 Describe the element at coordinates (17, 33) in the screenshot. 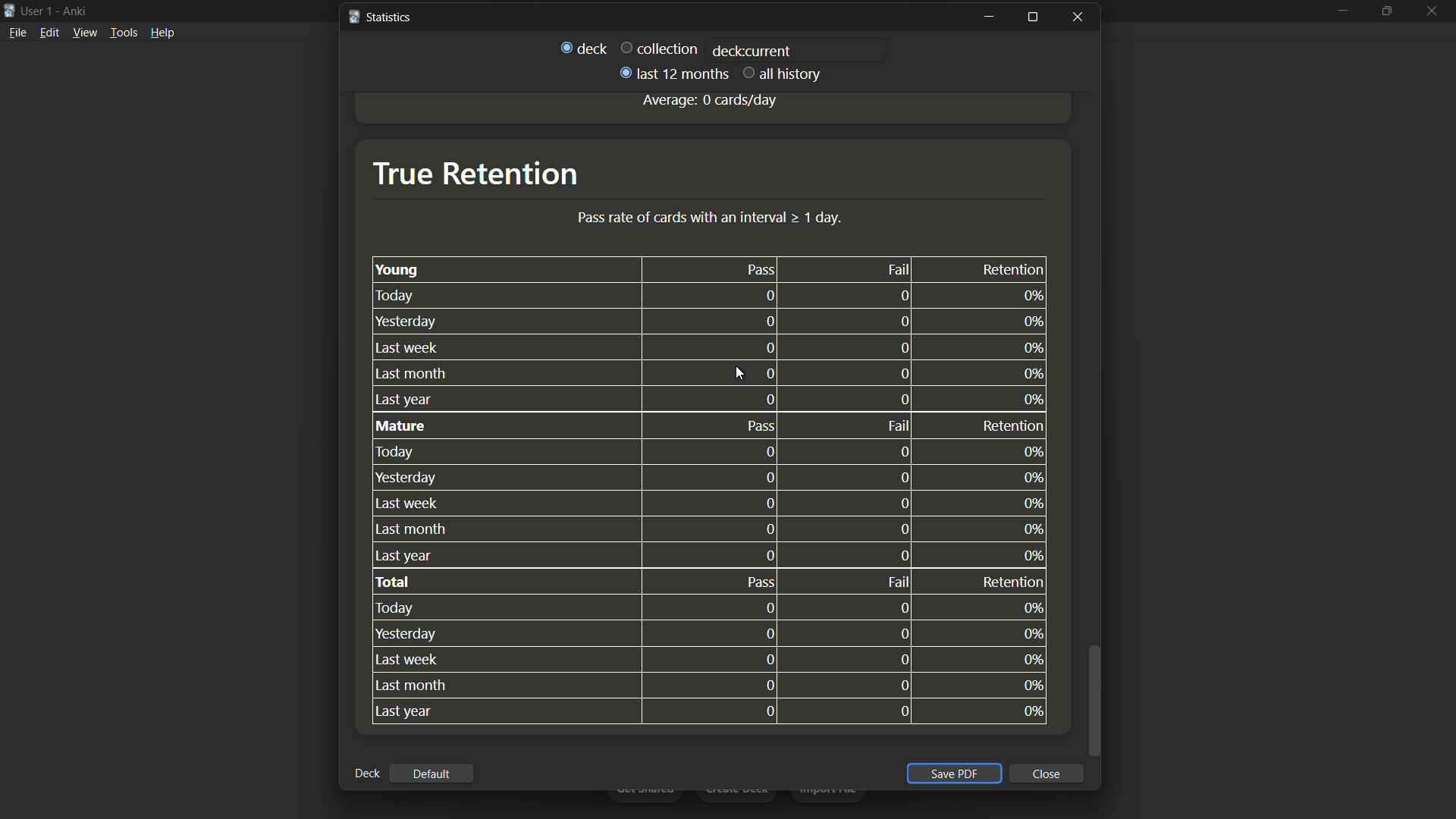

I see `file menu` at that location.